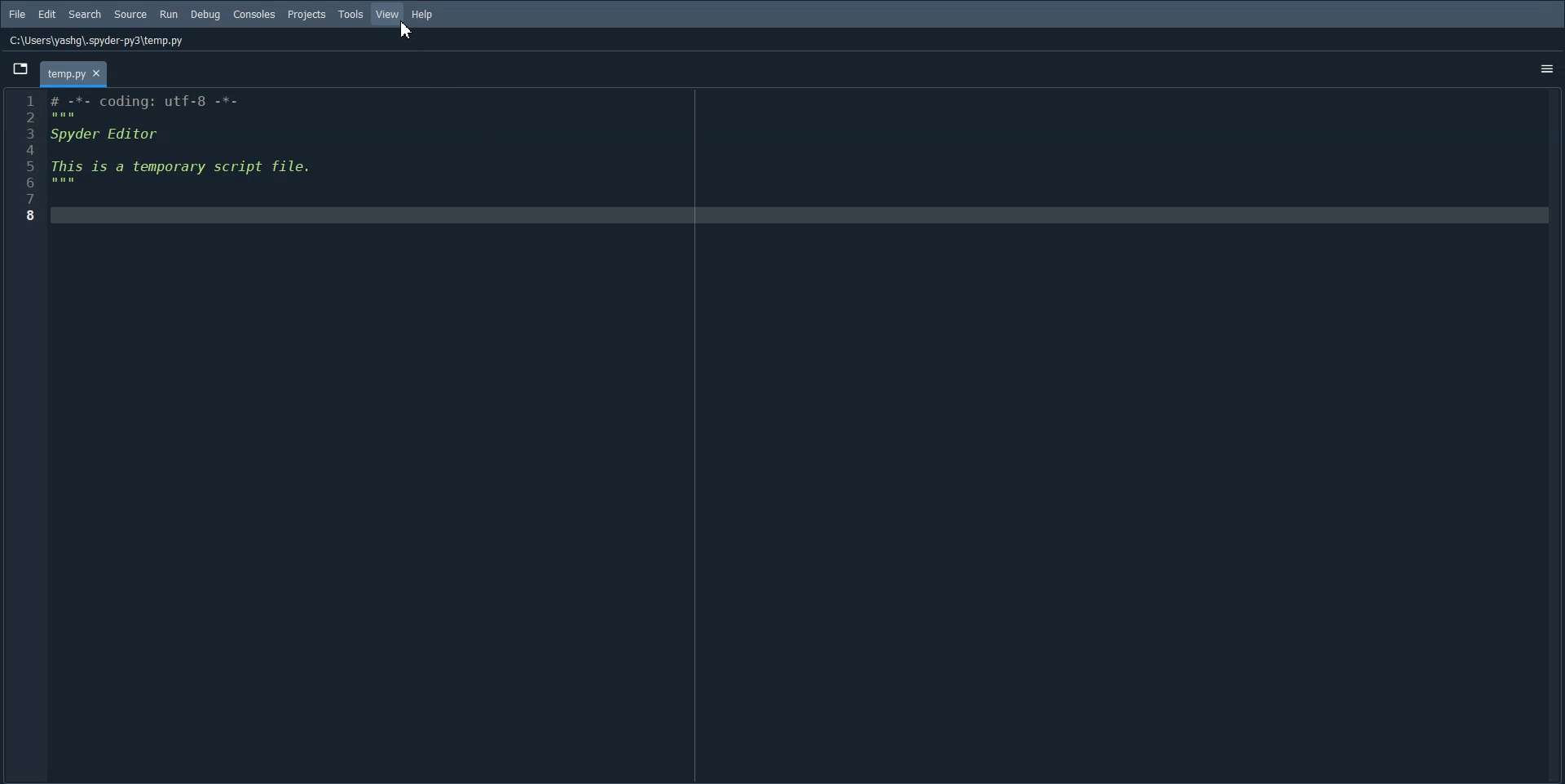 Image resolution: width=1565 pixels, height=784 pixels. I want to click on Help, so click(424, 15).